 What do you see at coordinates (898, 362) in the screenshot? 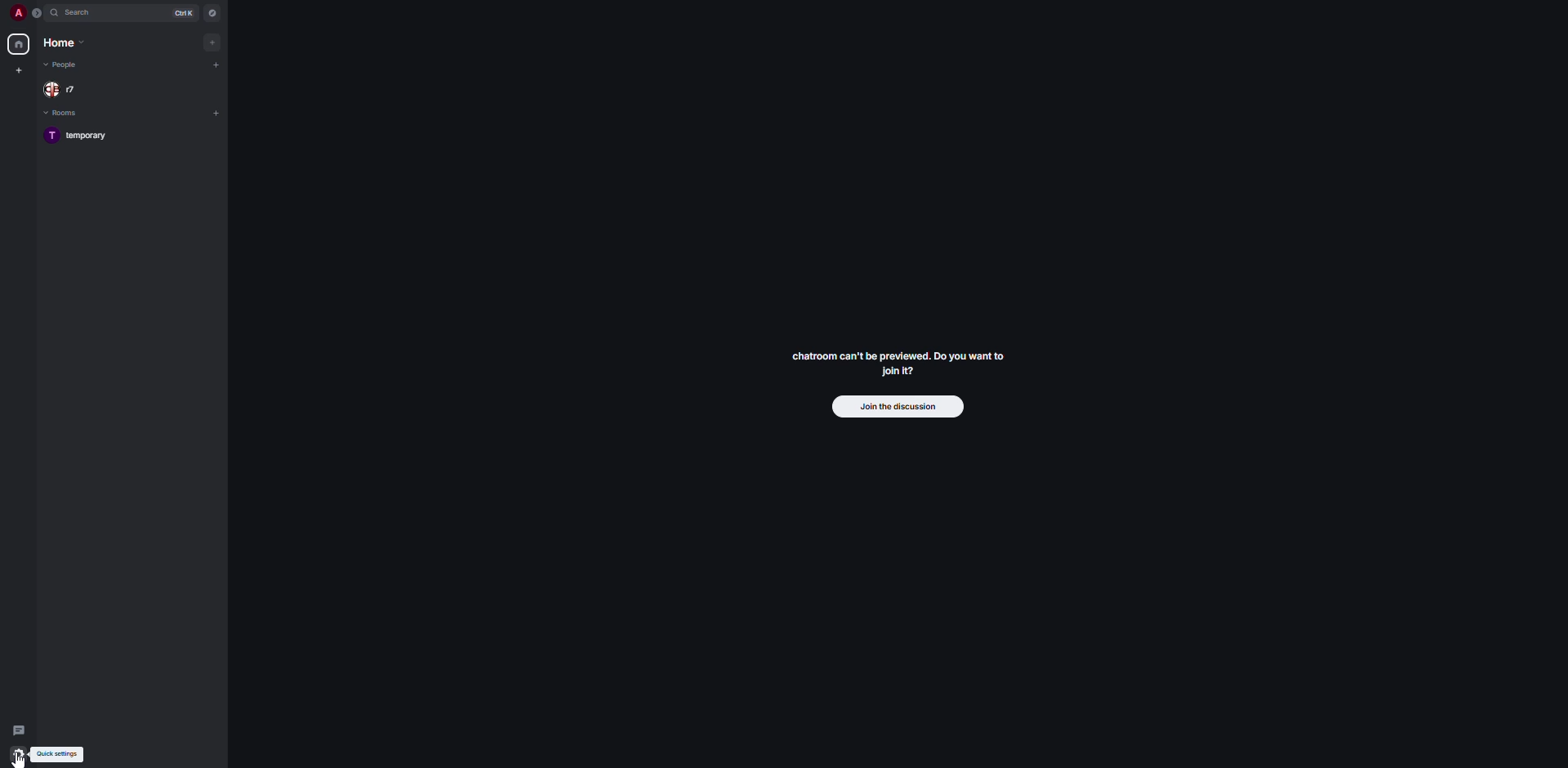
I see `chatroom can't be previewed. Do you want to join it?` at bounding box center [898, 362].